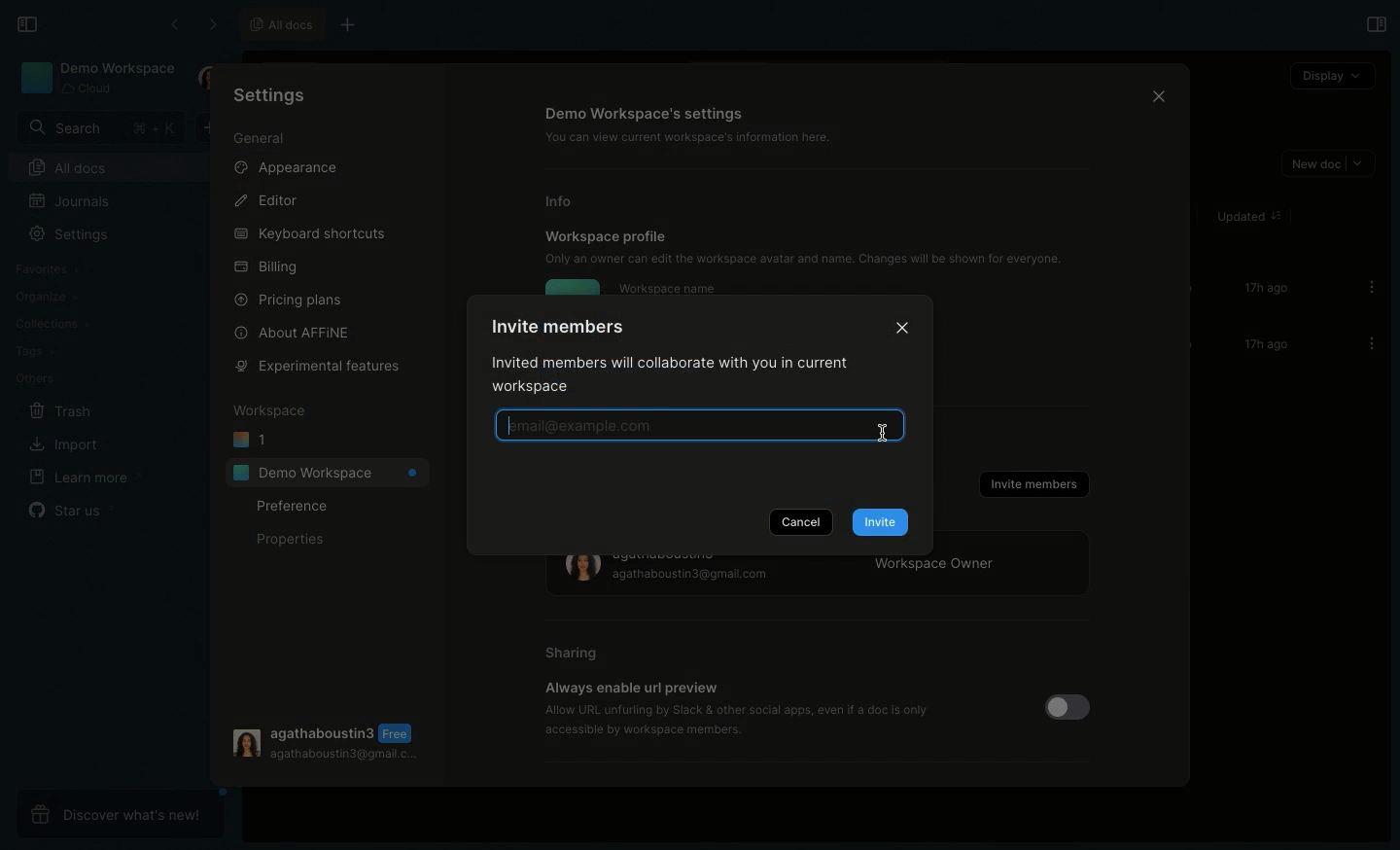 Image resolution: width=1400 pixels, height=850 pixels. Describe the element at coordinates (699, 137) in the screenshot. I see `‘You can view current workspace's information here.` at that location.